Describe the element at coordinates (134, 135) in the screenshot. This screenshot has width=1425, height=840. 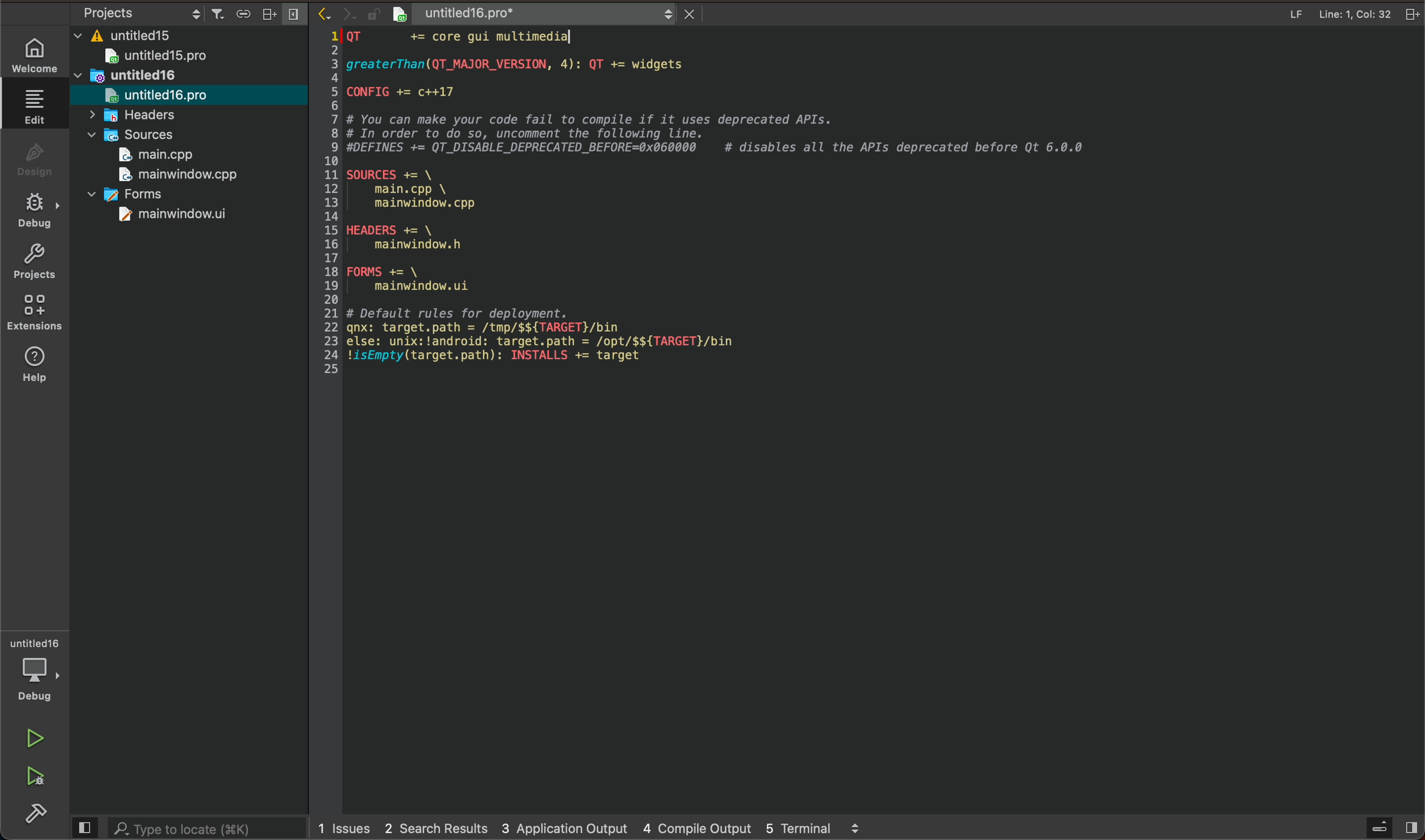
I see `sources` at that location.